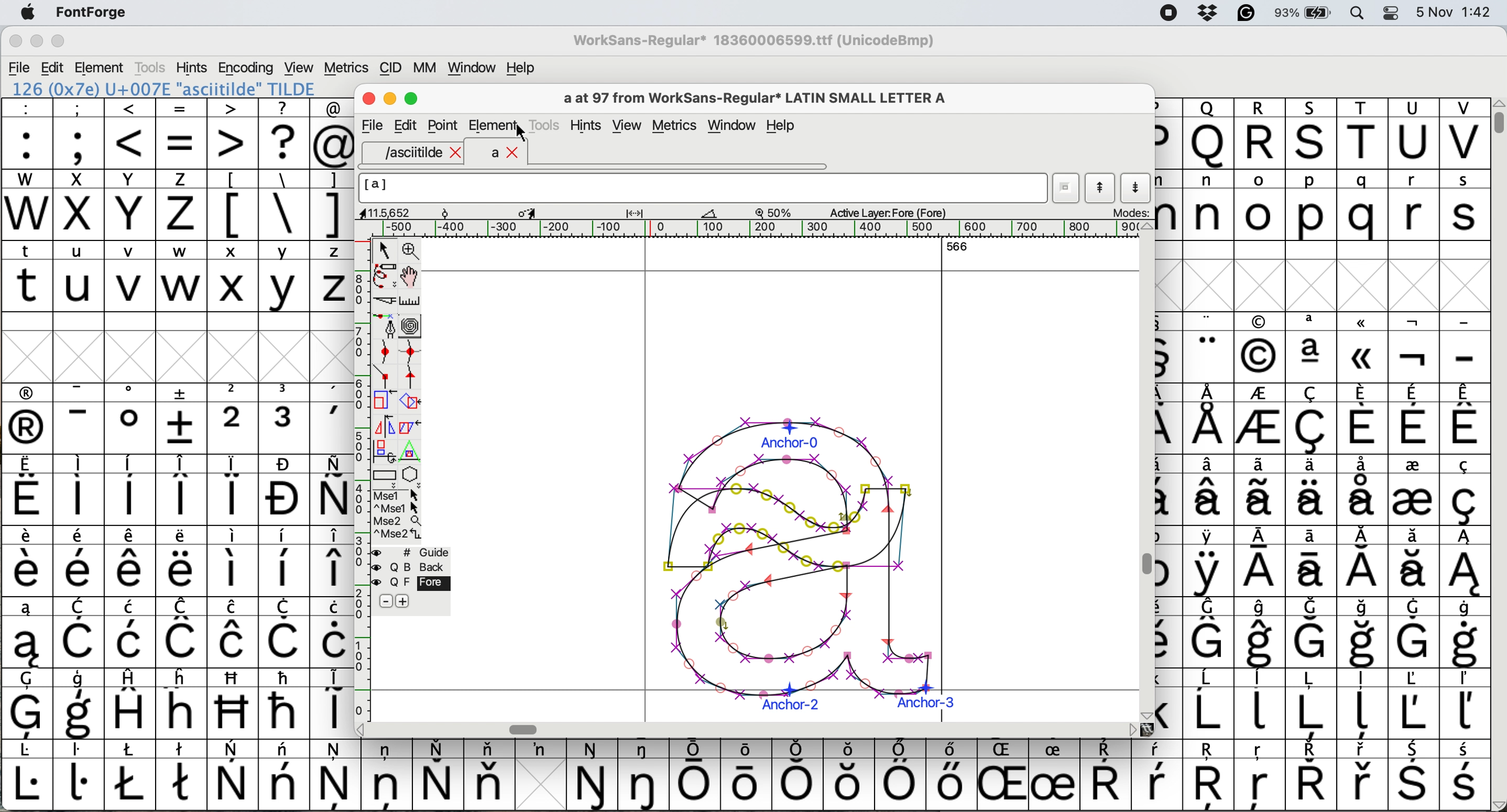 The image size is (1507, 812). What do you see at coordinates (284, 562) in the screenshot?
I see `symbol` at bounding box center [284, 562].